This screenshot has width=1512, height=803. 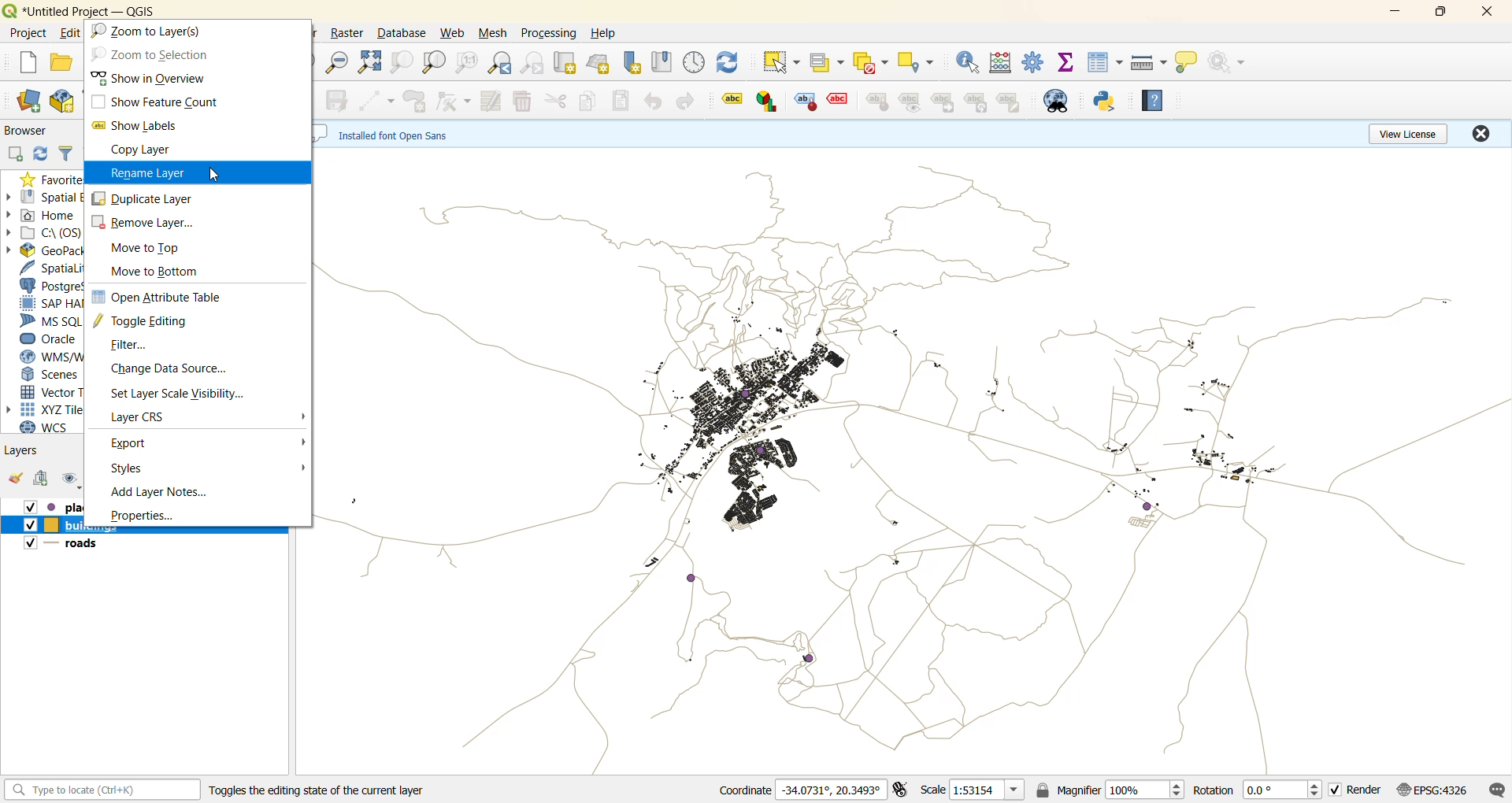 What do you see at coordinates (50, 269) in the screenshot?
I see `spatialite` at bounding box center [50, 269].